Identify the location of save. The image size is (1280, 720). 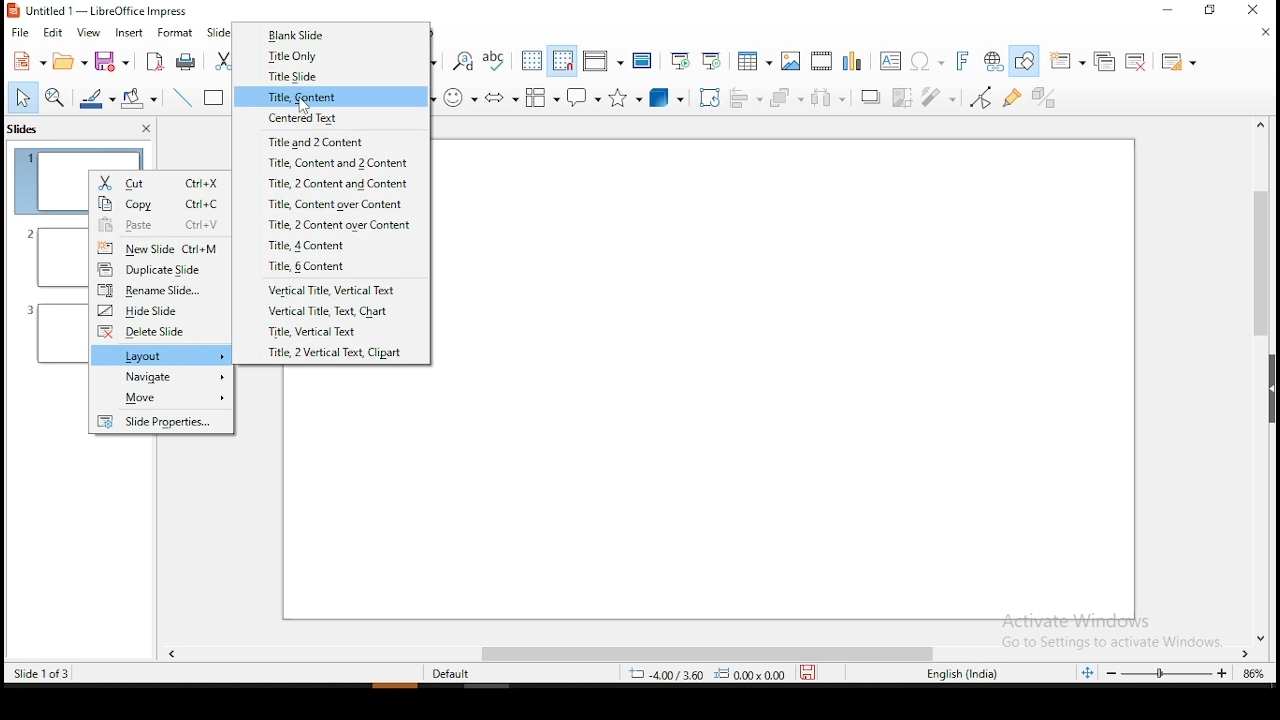
(808, 674).